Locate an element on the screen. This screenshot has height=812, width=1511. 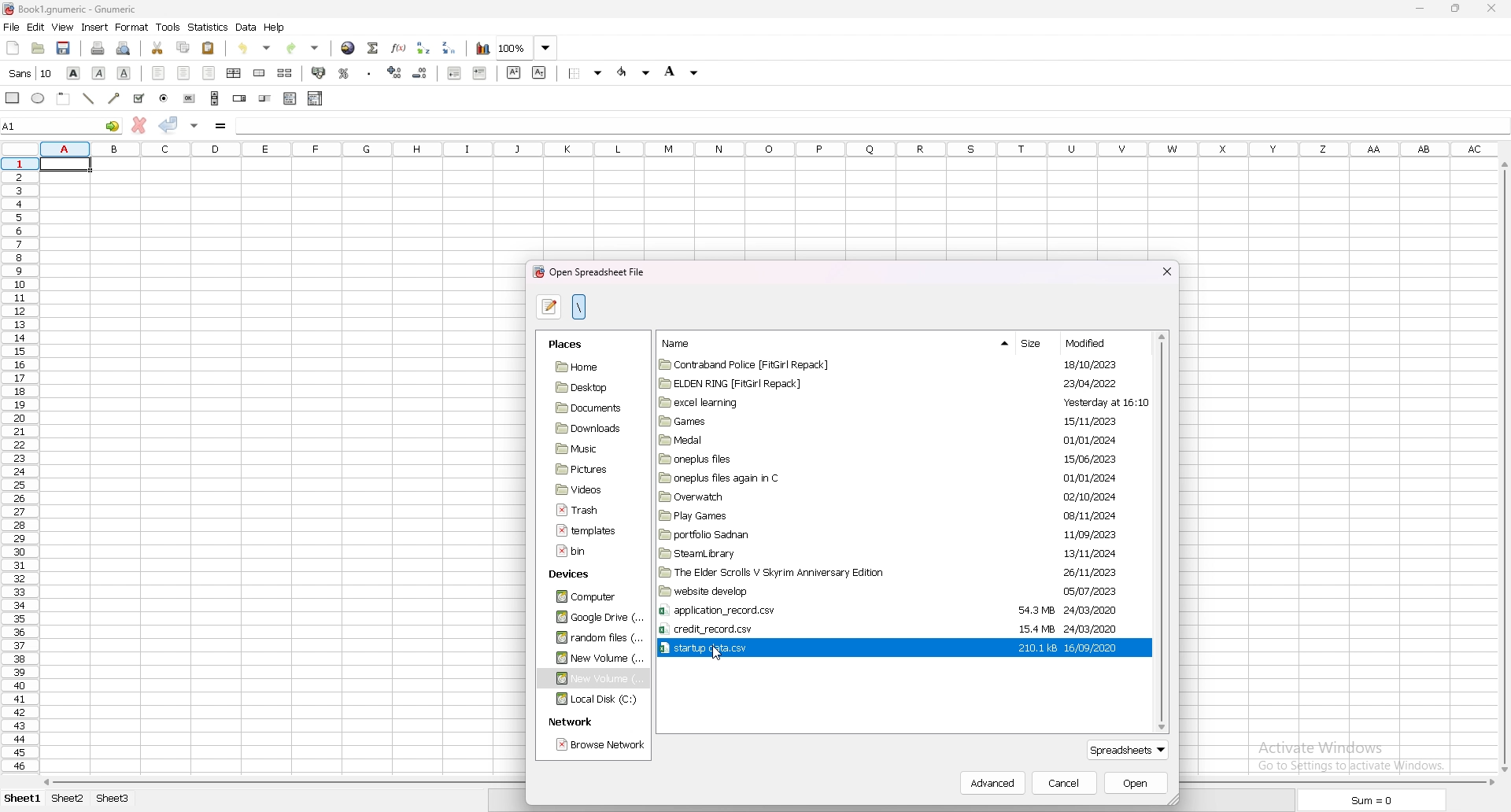
left align is located at coordinates (159, 73).